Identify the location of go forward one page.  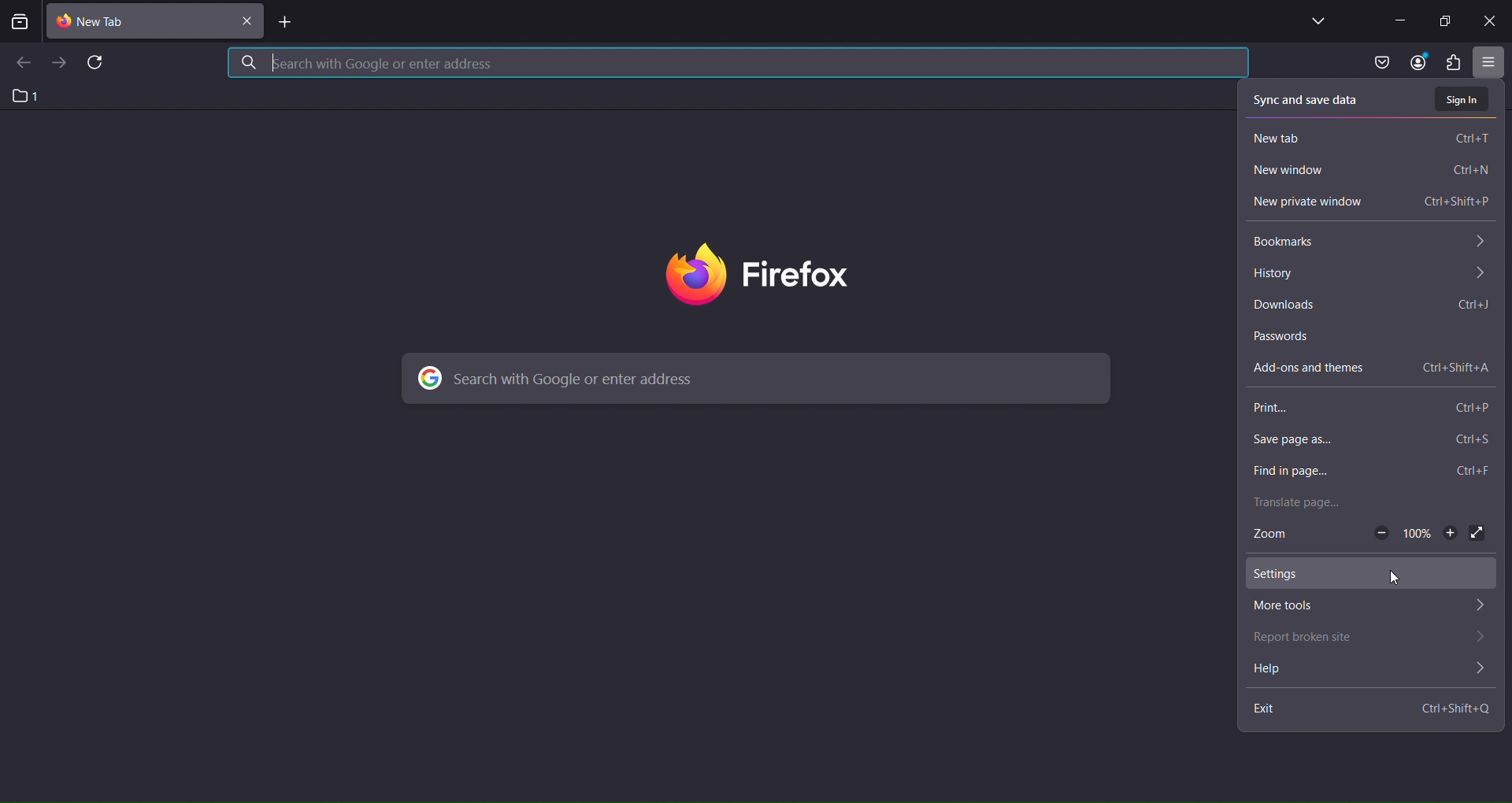
(60, 67).